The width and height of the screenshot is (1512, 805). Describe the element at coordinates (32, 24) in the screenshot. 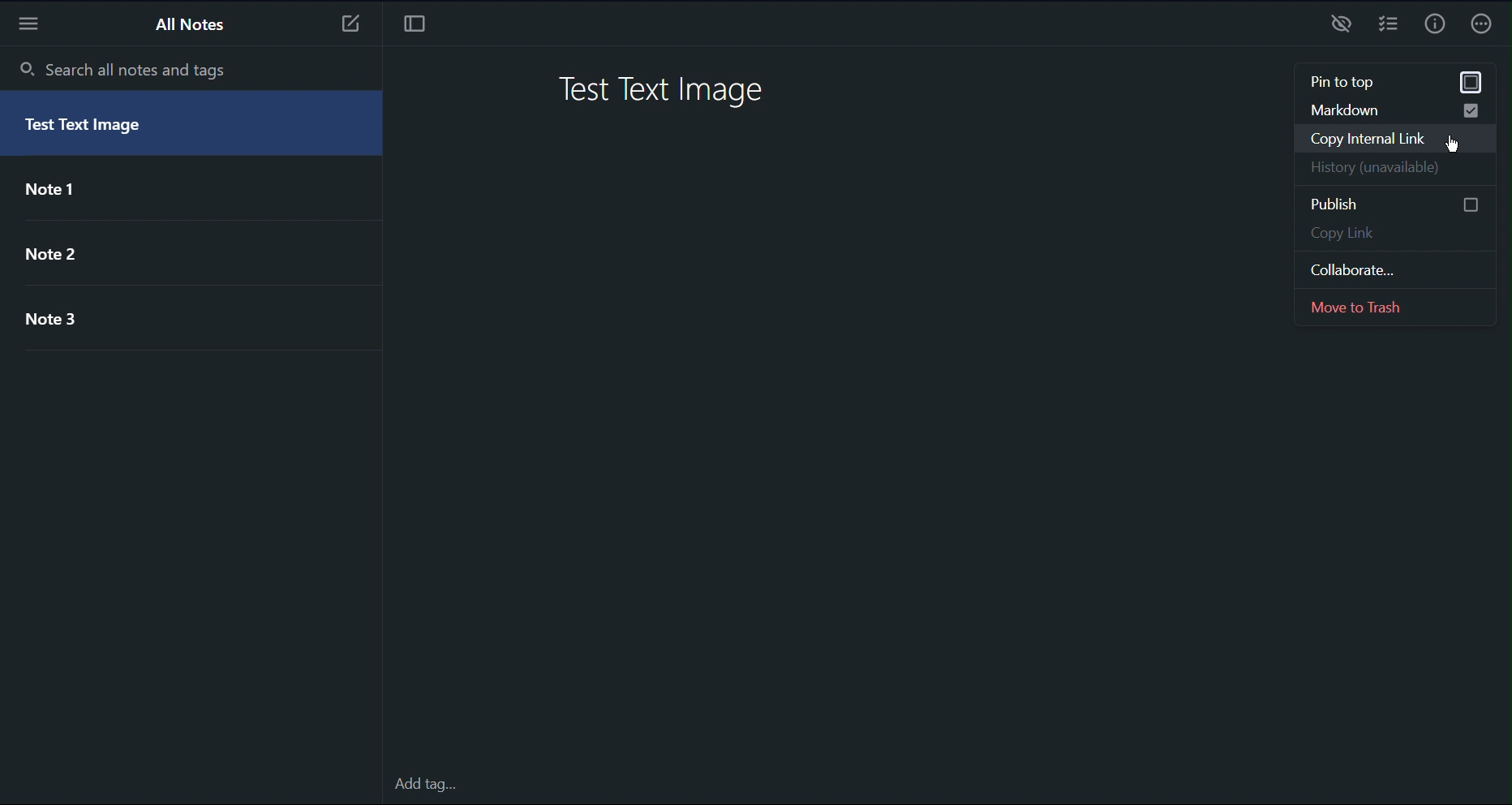

I see `More` at that location.